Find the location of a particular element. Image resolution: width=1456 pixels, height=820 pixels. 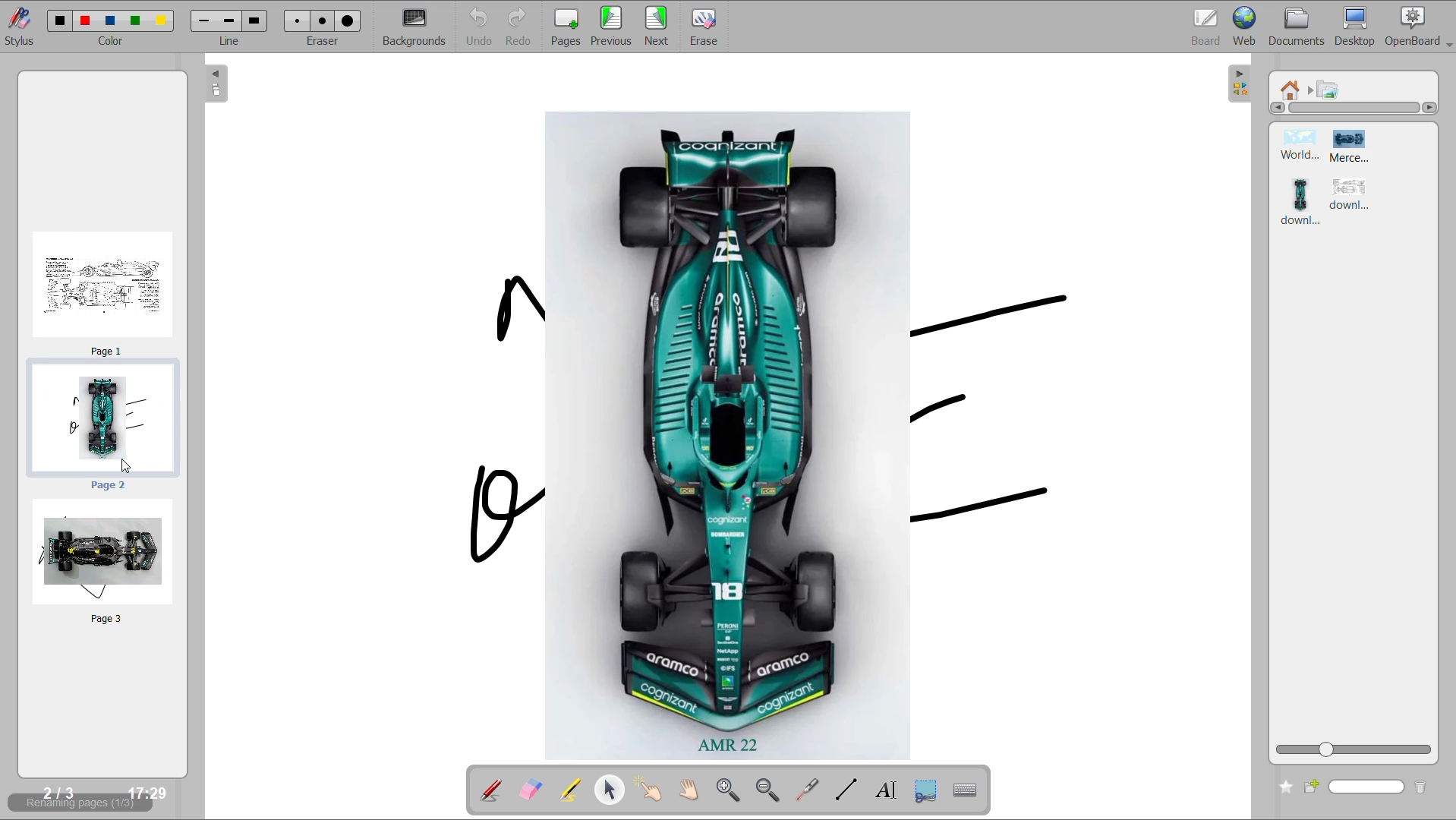

root is located at coordinates (1294, 90).